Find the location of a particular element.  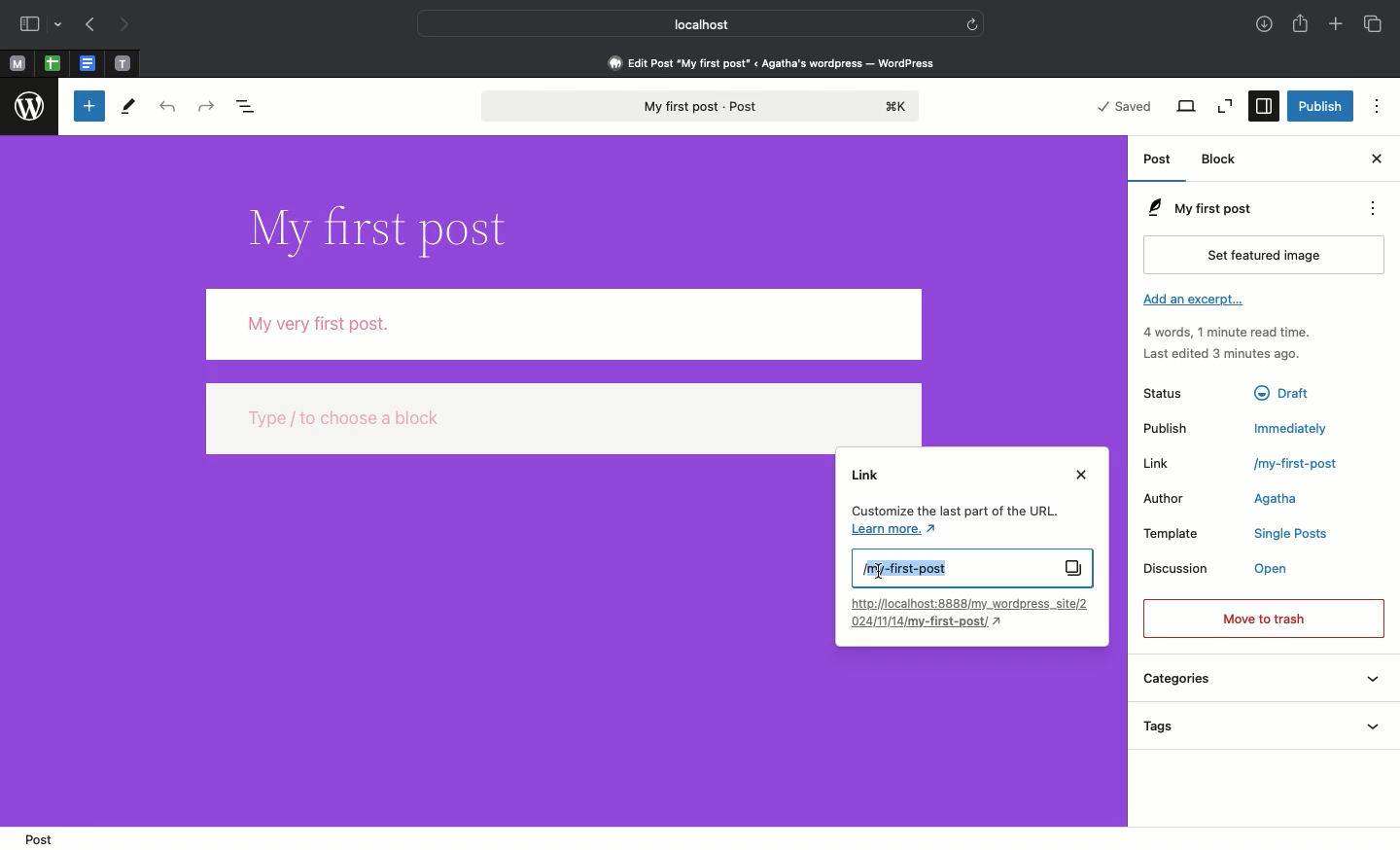

cursor is located at coordinates (880, 573).